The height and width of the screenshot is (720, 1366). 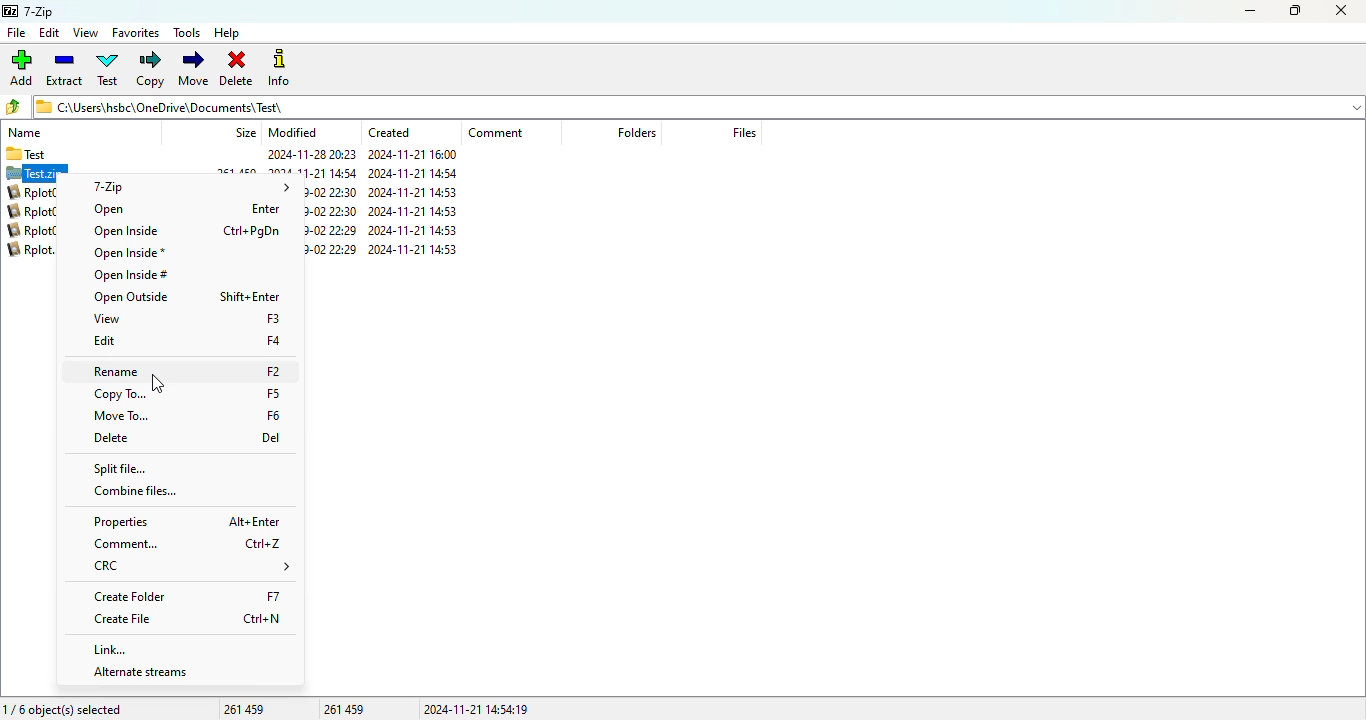 What do you see at coordinates (109, 650) in the screenshot?
I see `link` at bounding box center [109, 650].